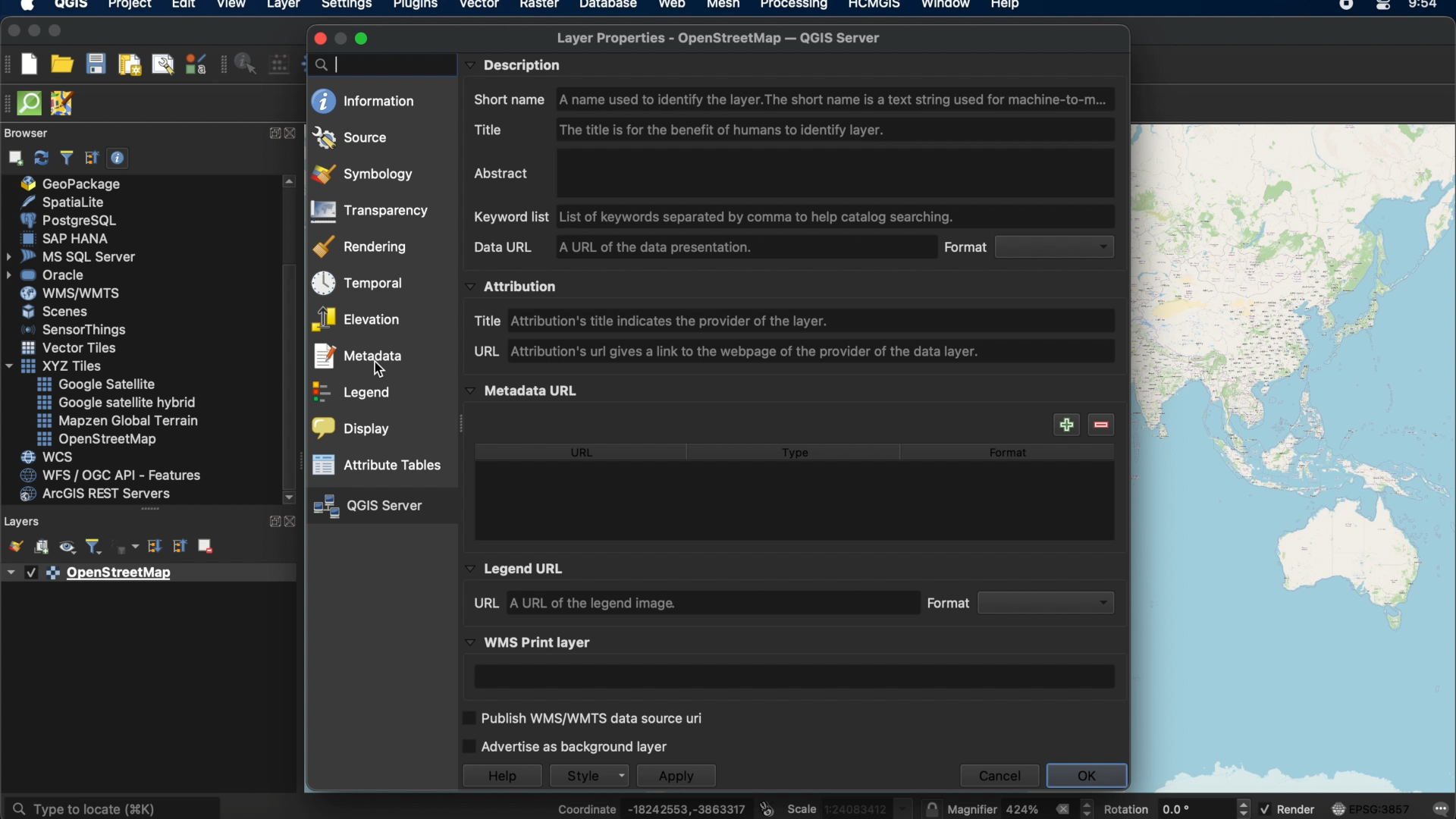 This screenshot has width=1456, height=819. What do you see at coordinates (1065, 425) in the screenshot?
I see `add` at bounding box center [1065, 425].